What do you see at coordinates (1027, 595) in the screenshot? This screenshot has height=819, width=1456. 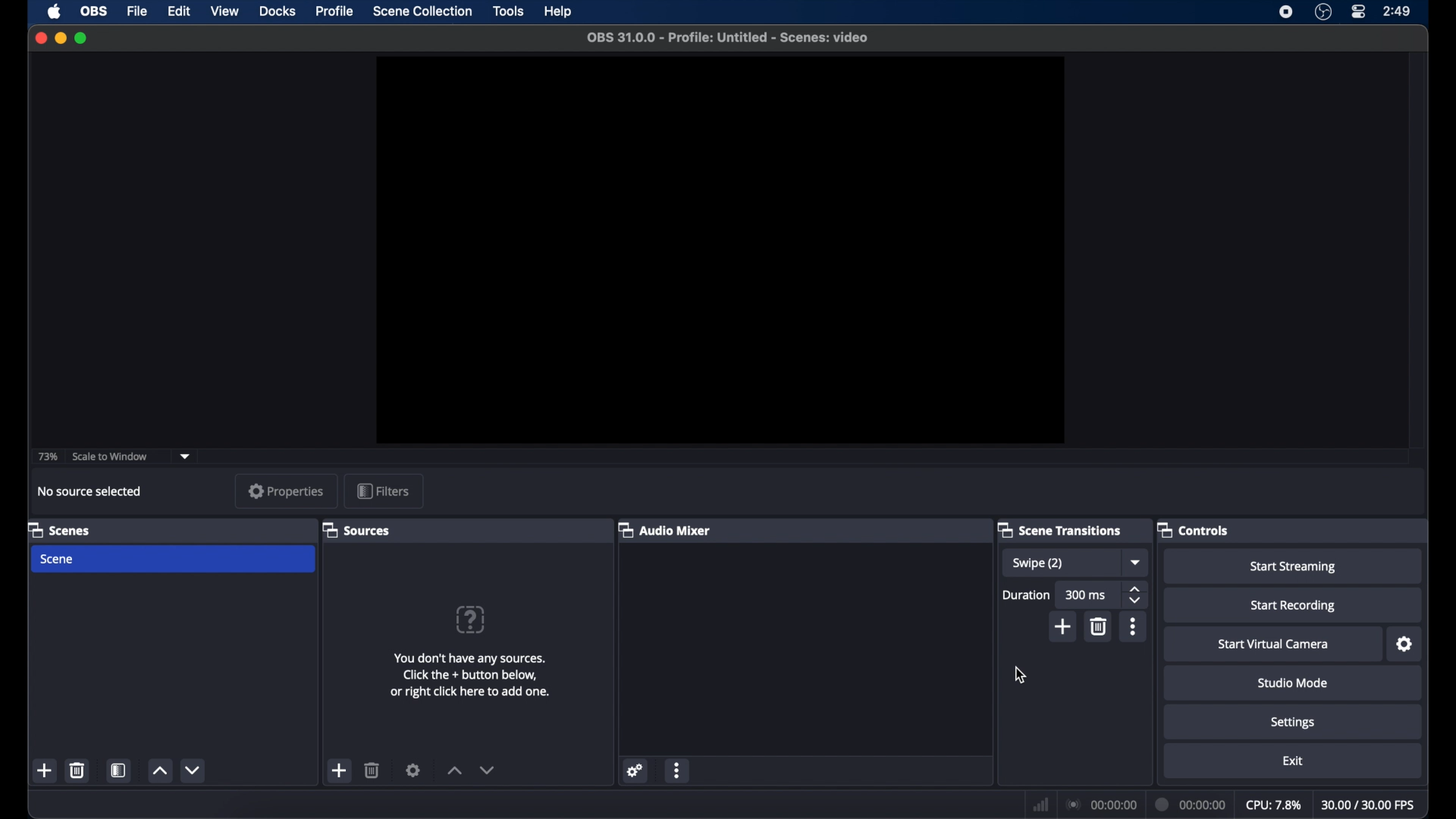 I see `duration` at bounding box center [1027, 595].